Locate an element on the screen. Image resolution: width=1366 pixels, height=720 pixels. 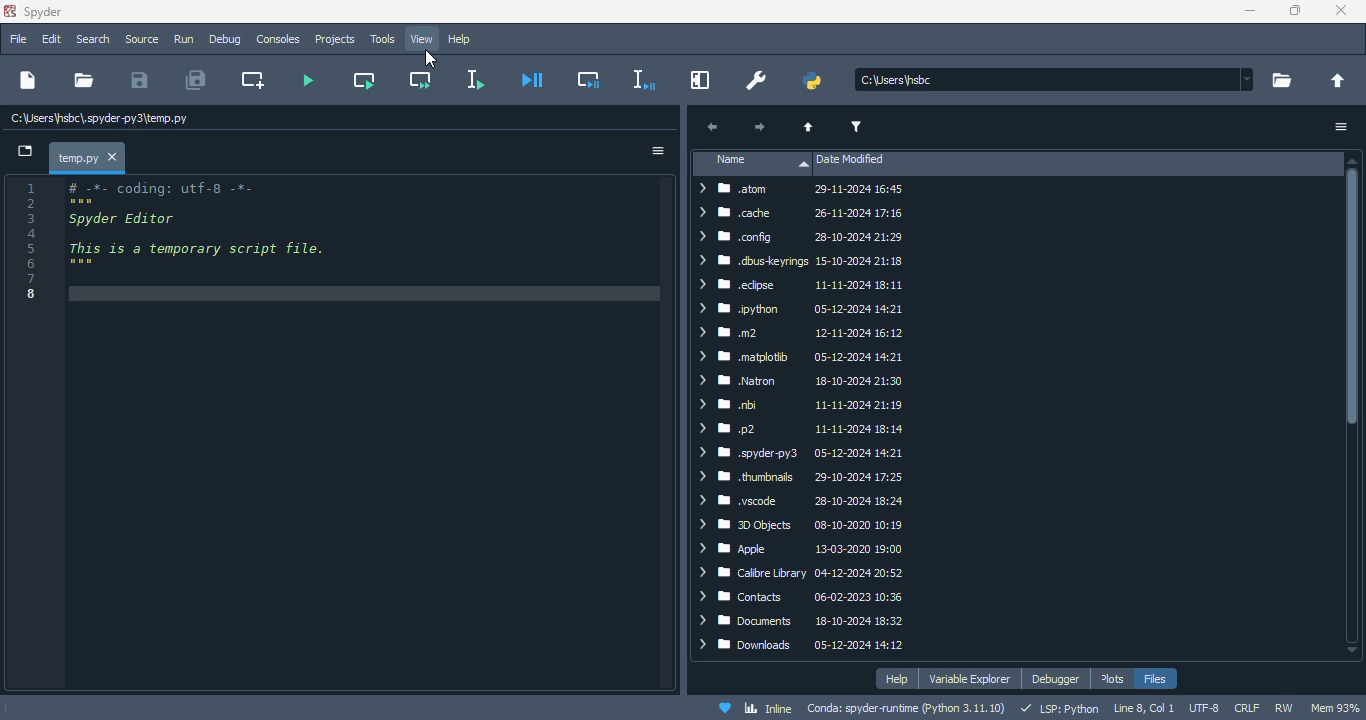
consoles is located at coordinates (277, 39).